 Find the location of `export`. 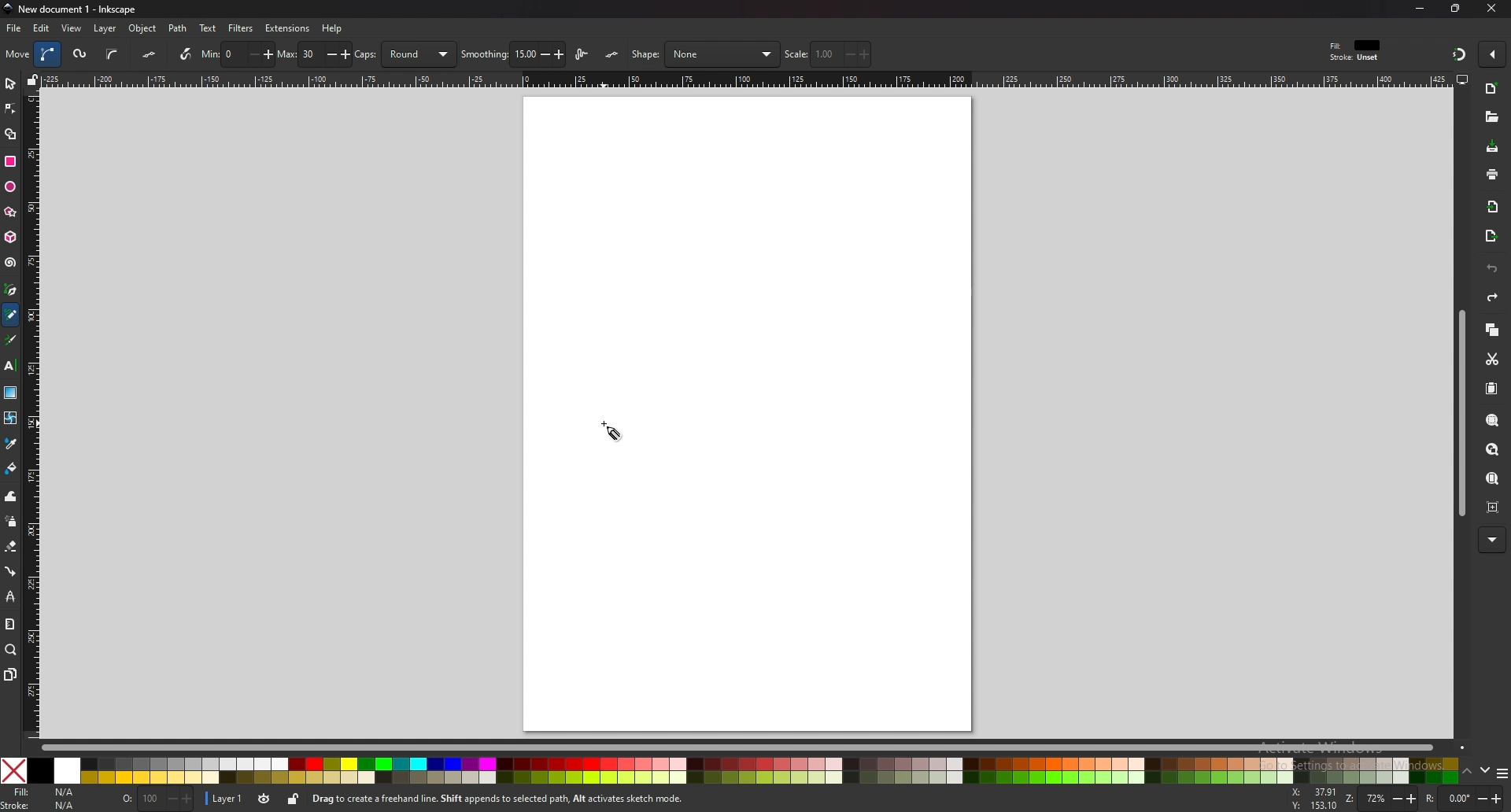

export is located at coordinates (1491, 238).